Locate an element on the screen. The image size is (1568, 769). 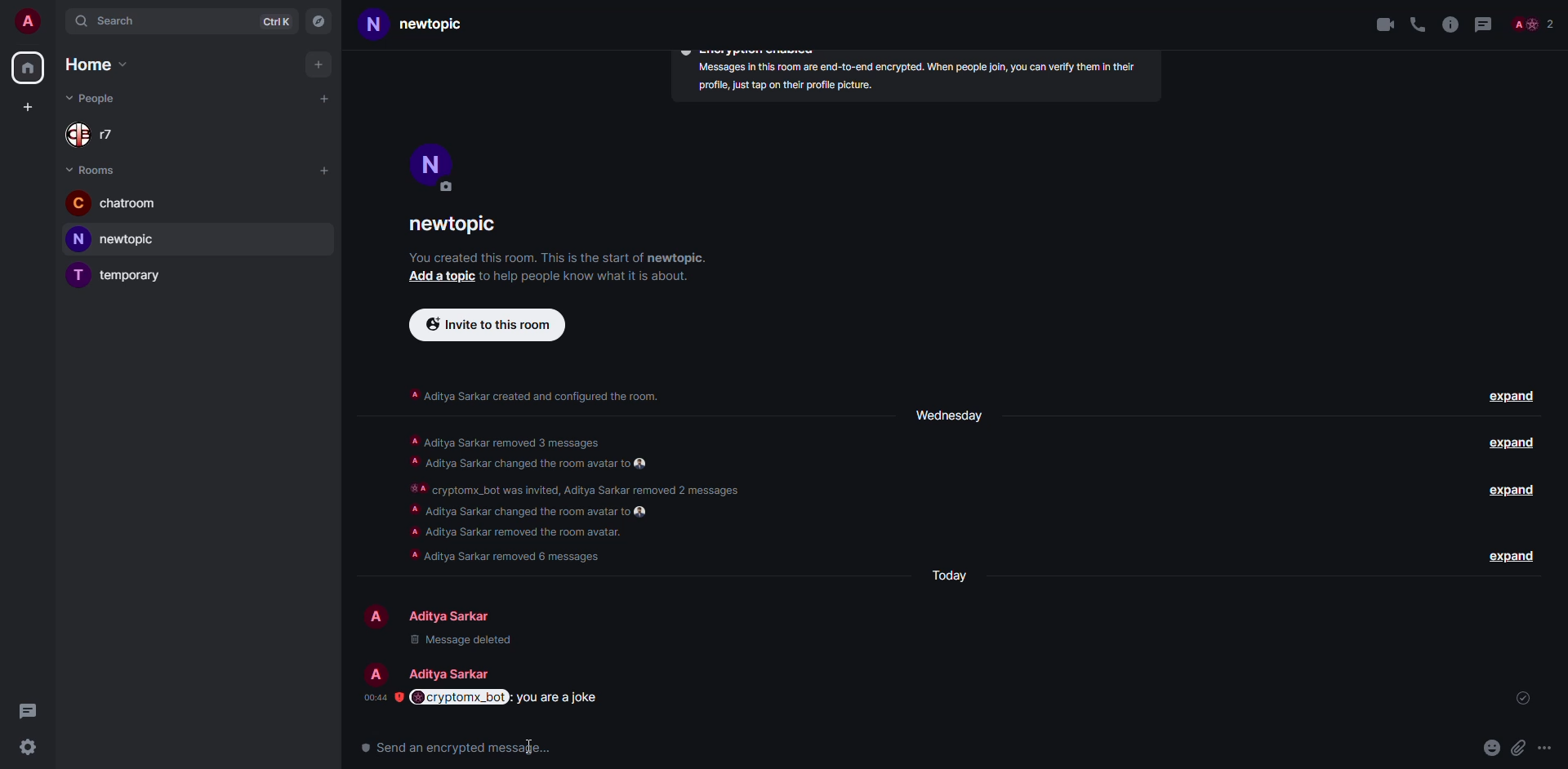
room is located at coordinates (113, 202).